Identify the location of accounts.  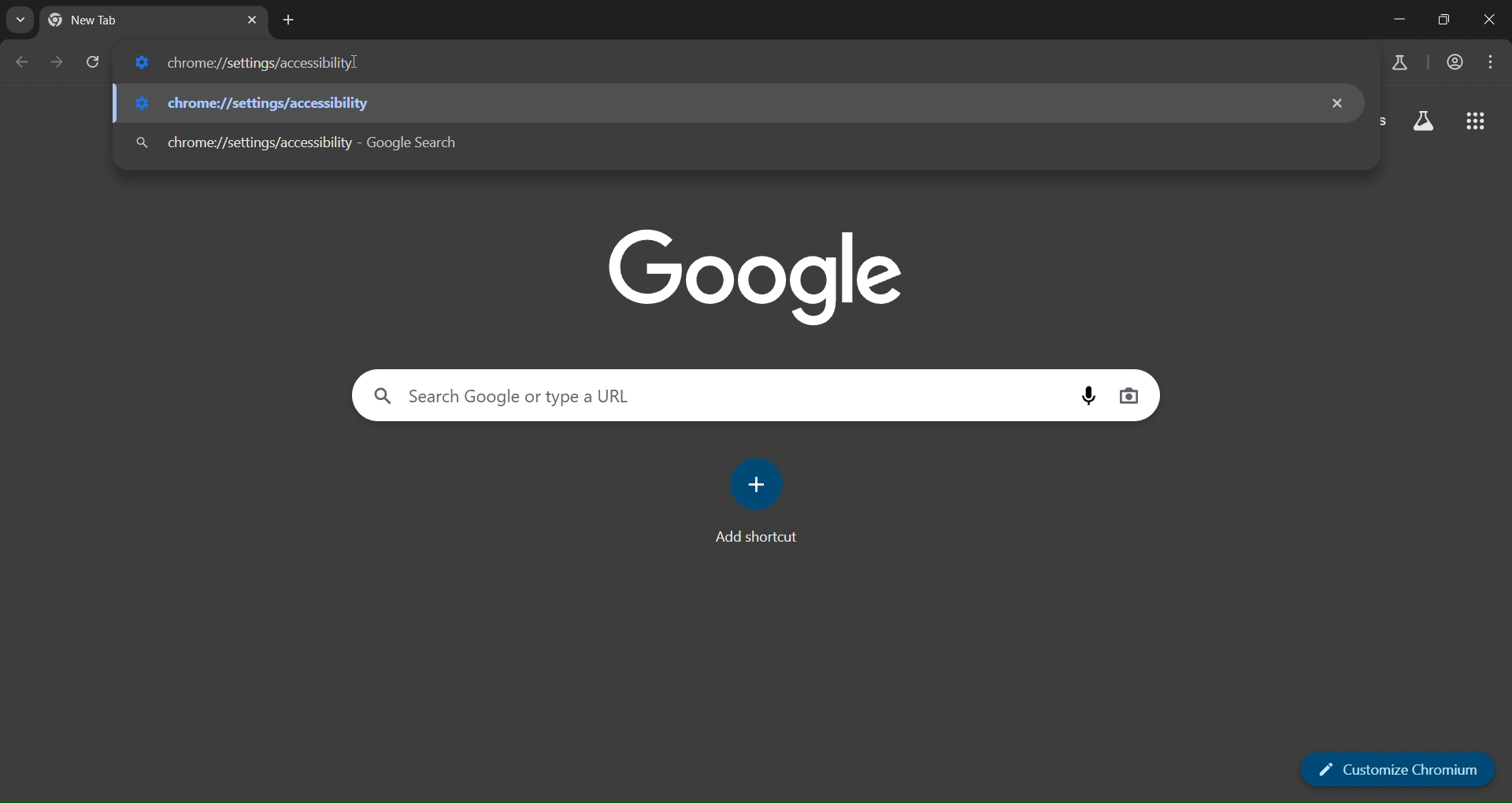
(1454, 62).